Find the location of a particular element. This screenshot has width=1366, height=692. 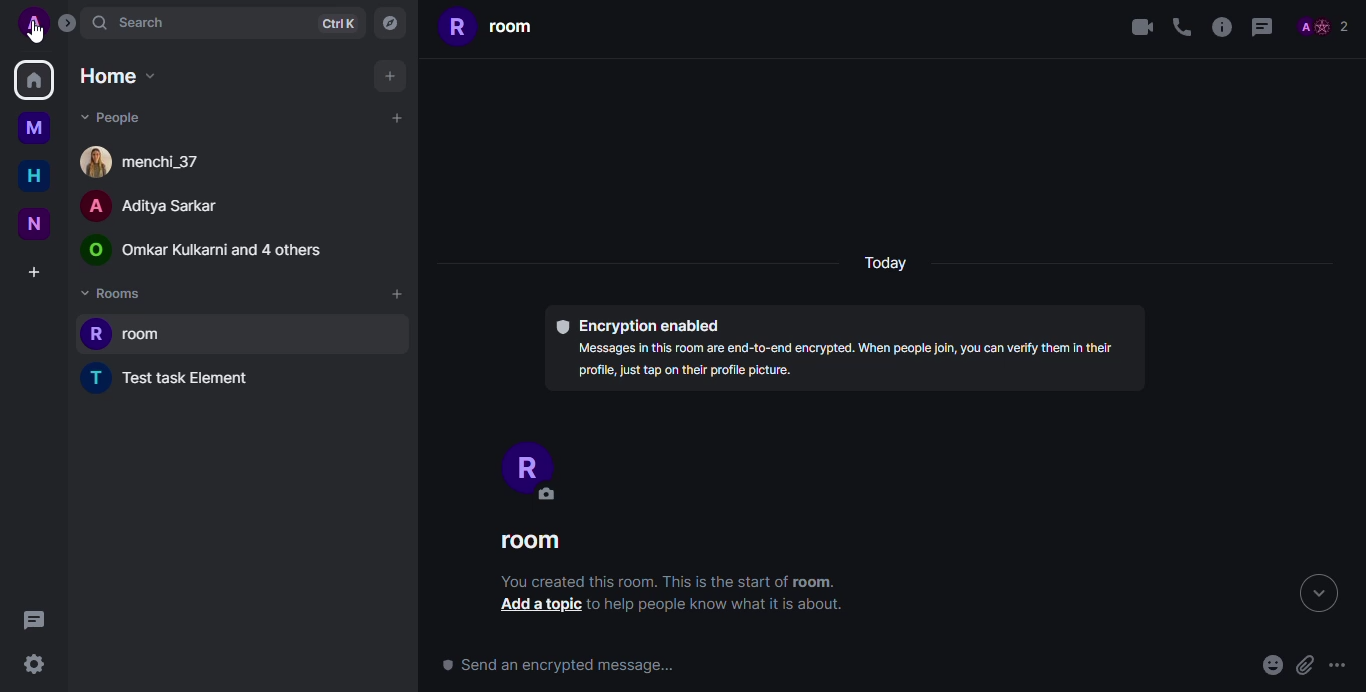

people is located at coordinates (1323, 25).